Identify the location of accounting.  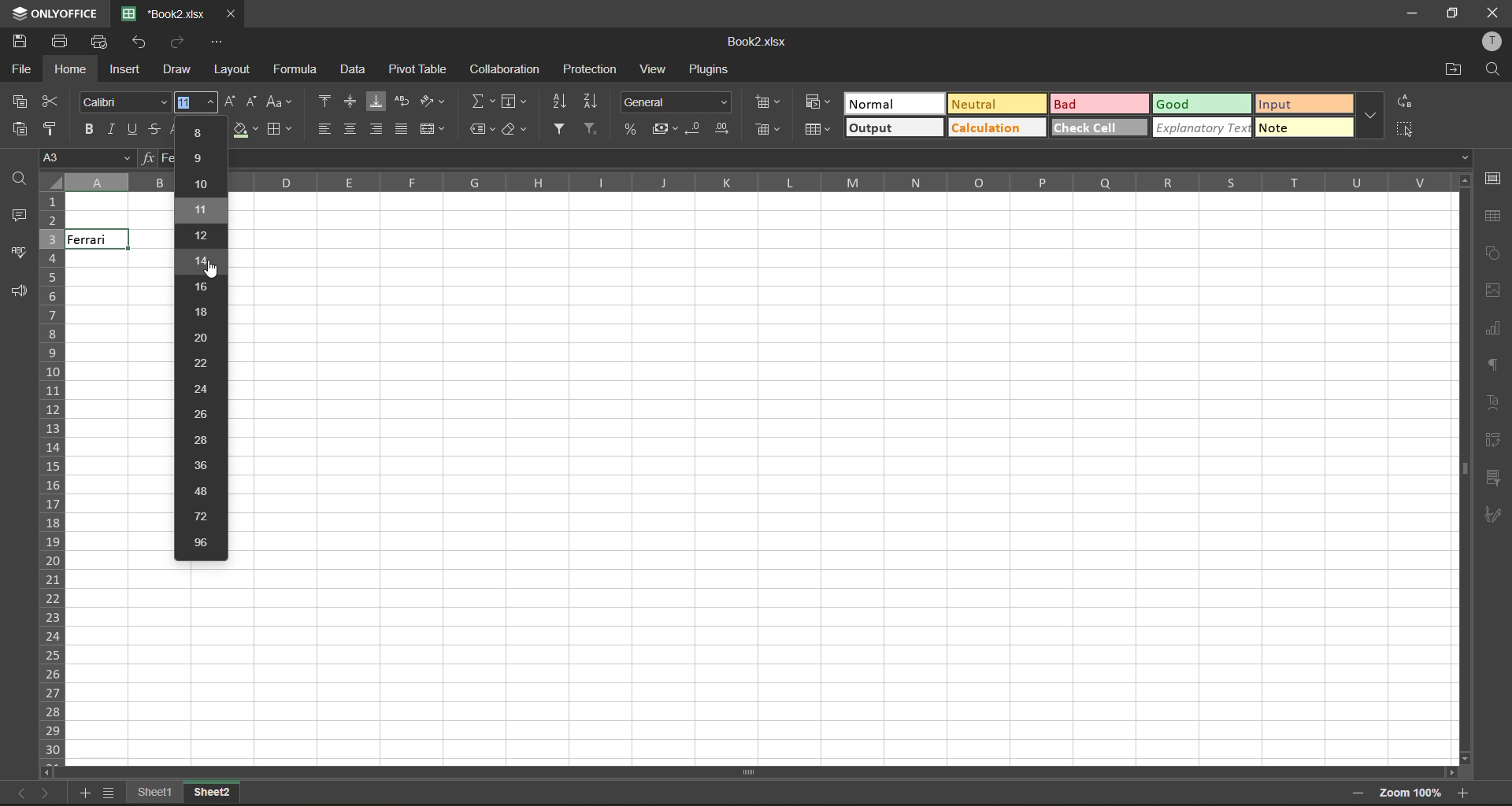
(661, 126).